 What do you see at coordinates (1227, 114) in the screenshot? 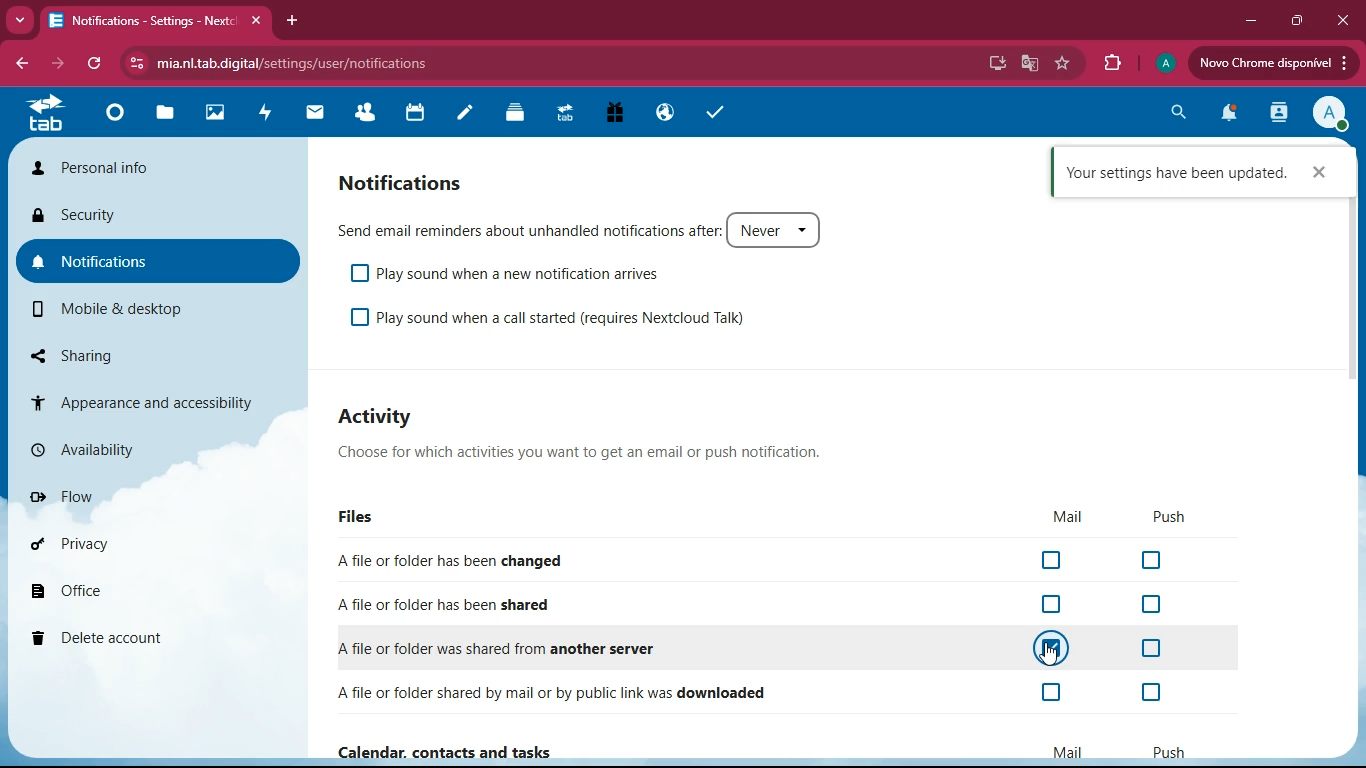
I see `notifications` at bounding box center [1227, 114].